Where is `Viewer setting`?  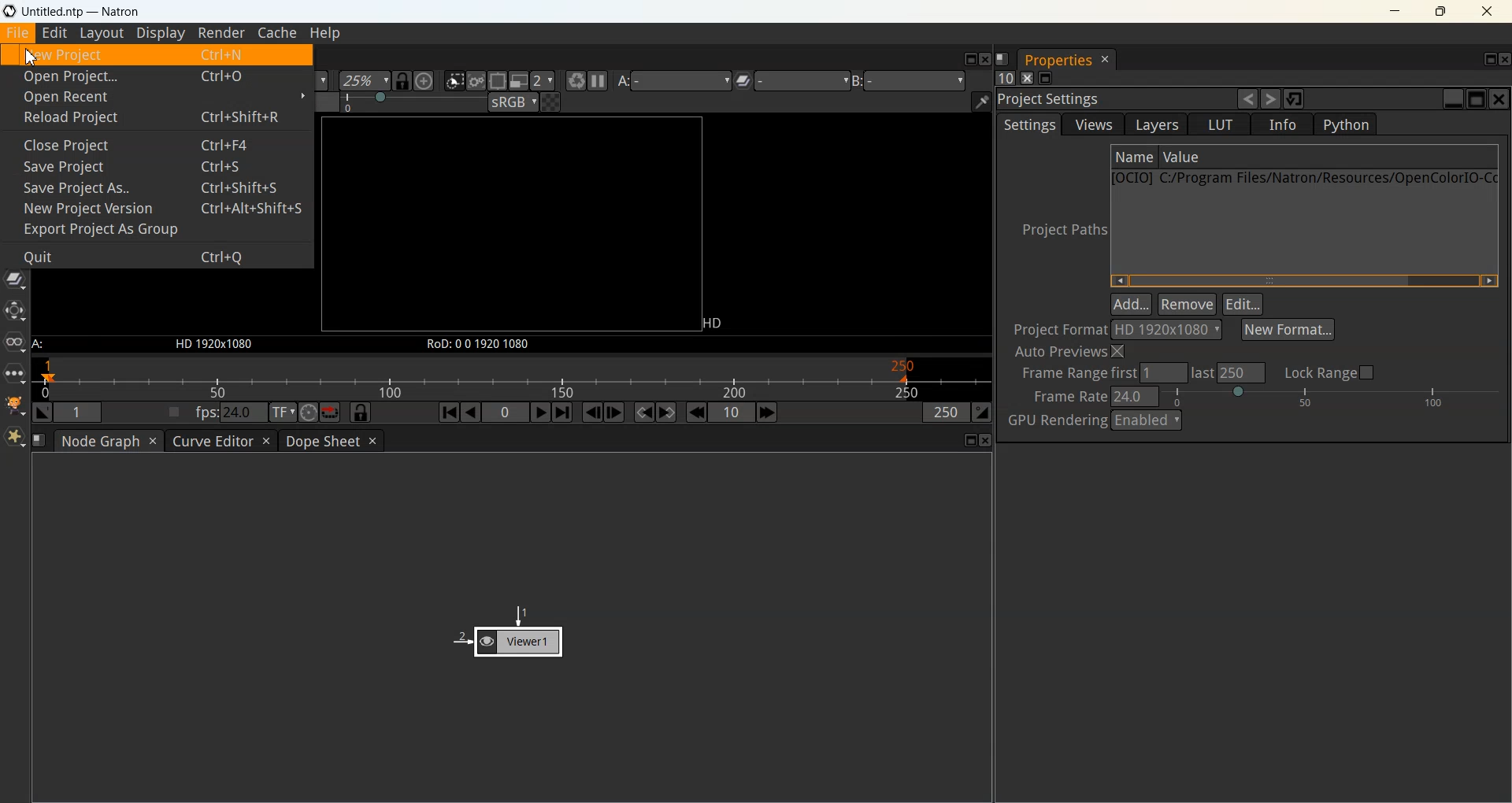
Viewer setting is located at coordinates (797, 80).